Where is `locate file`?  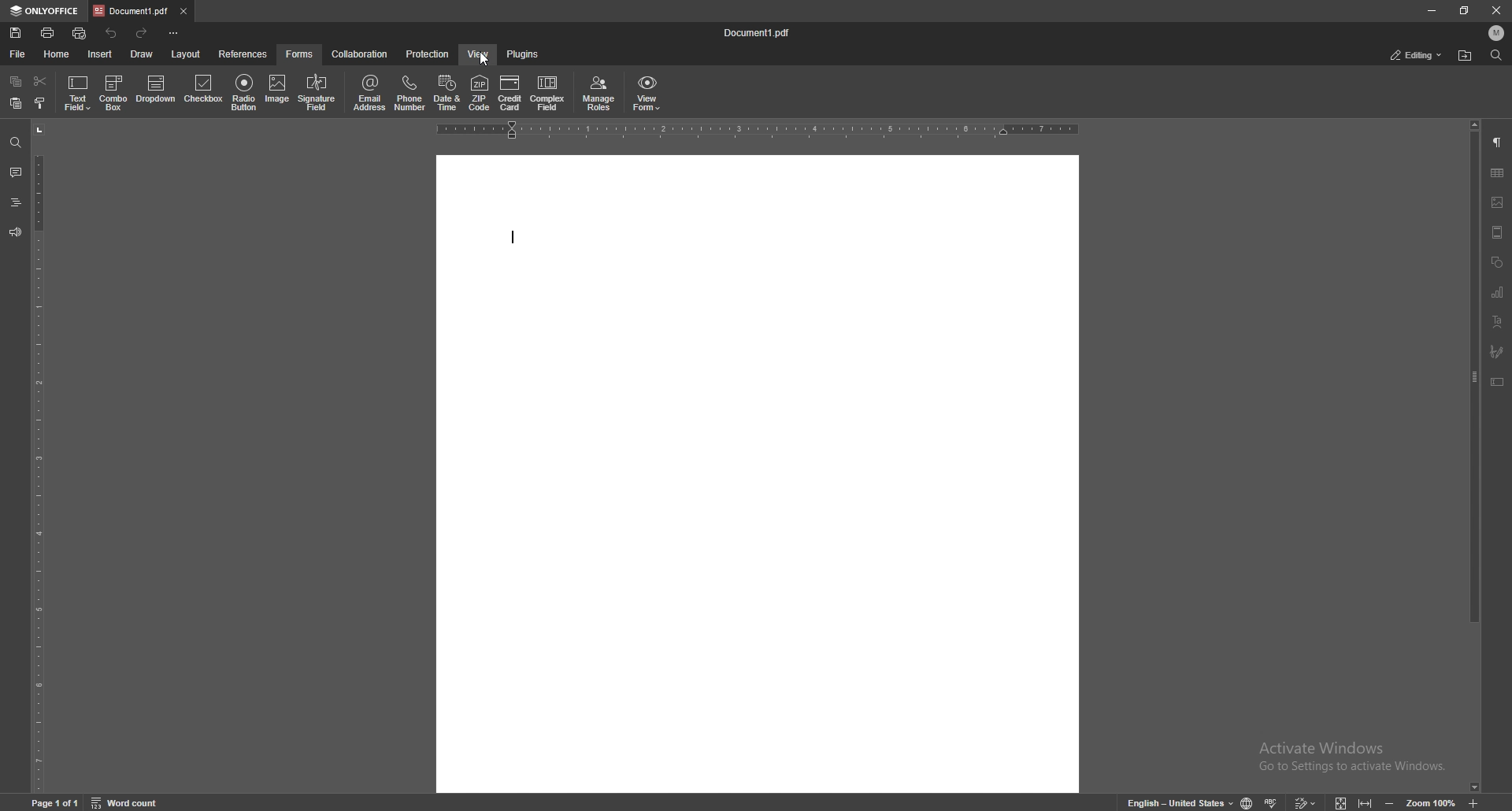
locate file is located at coordinates (1465, 57).